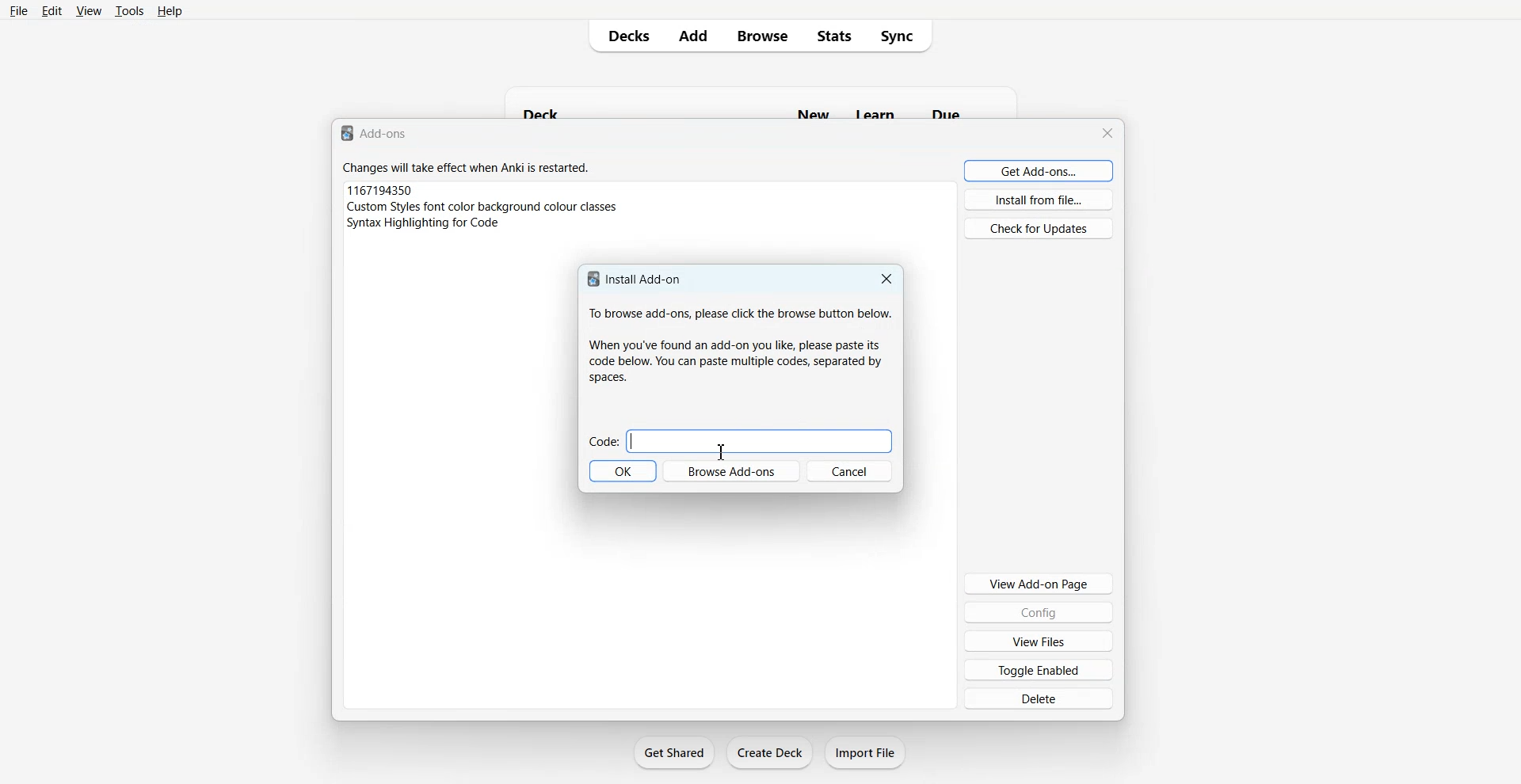  Describe the element at coordinates (635, 279) in the screenshot. I see `BY Install Add-on` at that location.